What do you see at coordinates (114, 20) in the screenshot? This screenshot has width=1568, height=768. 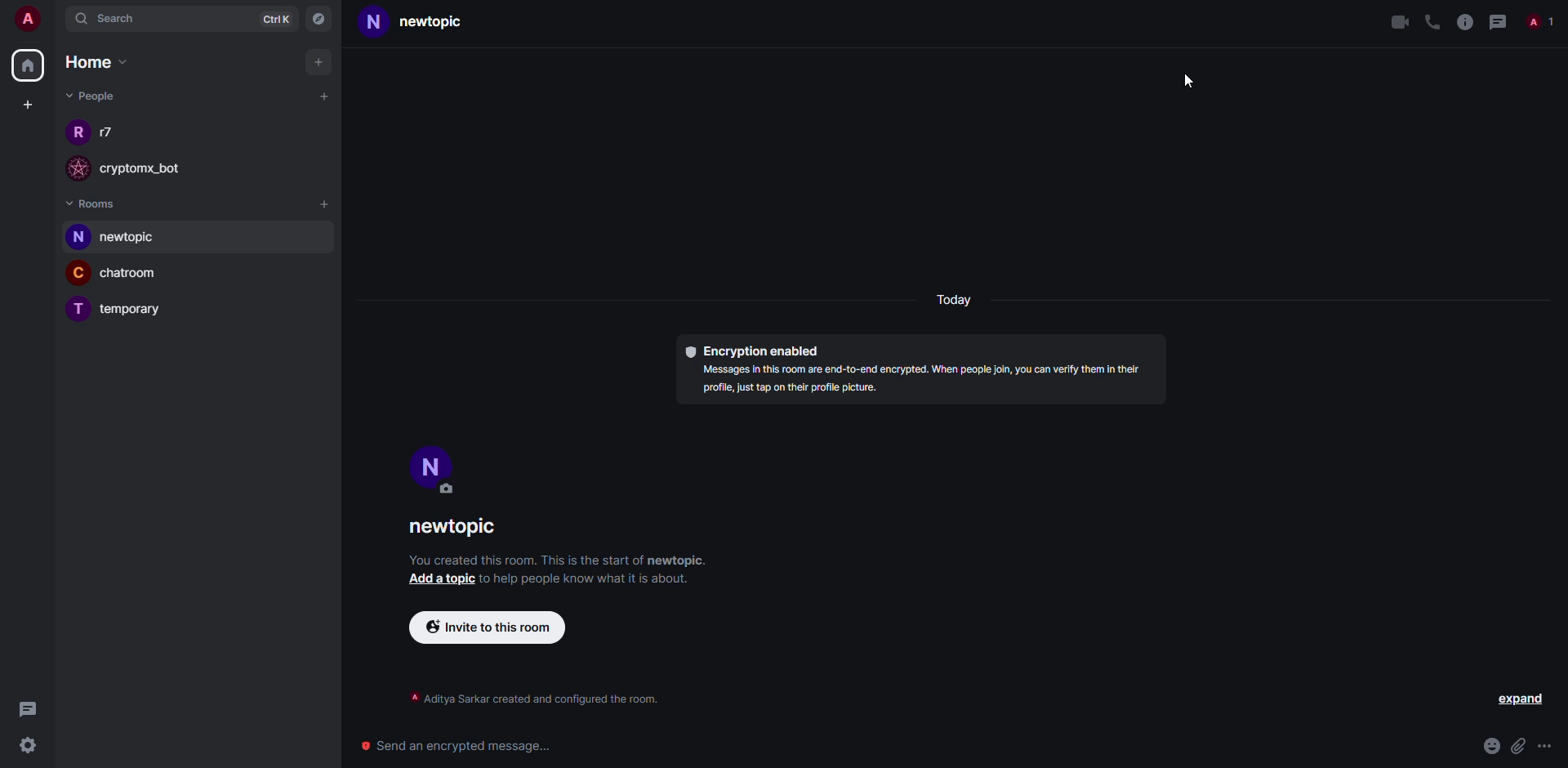 I see `search` at bounding box center [114, 20].